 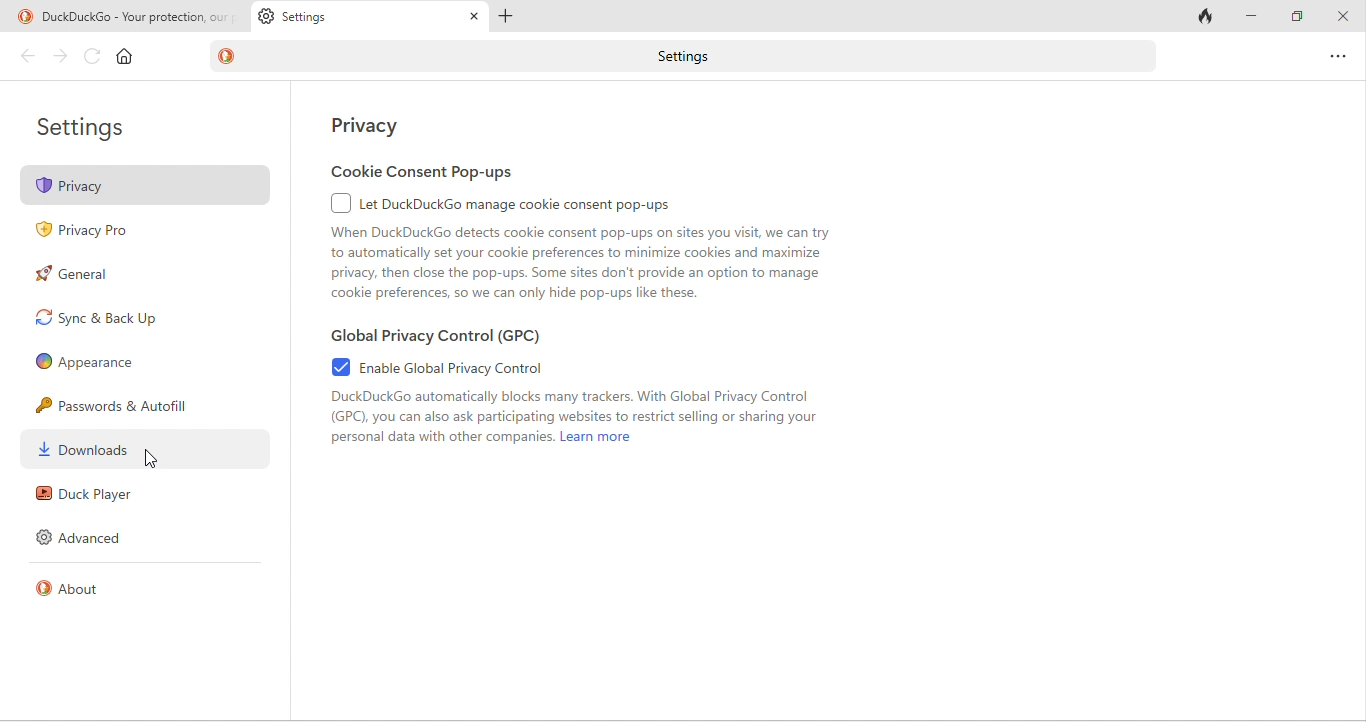 What do you see at coordinates (513, 14) in the screenshot?
I see `add tab ` at bounding box center [513, 14].